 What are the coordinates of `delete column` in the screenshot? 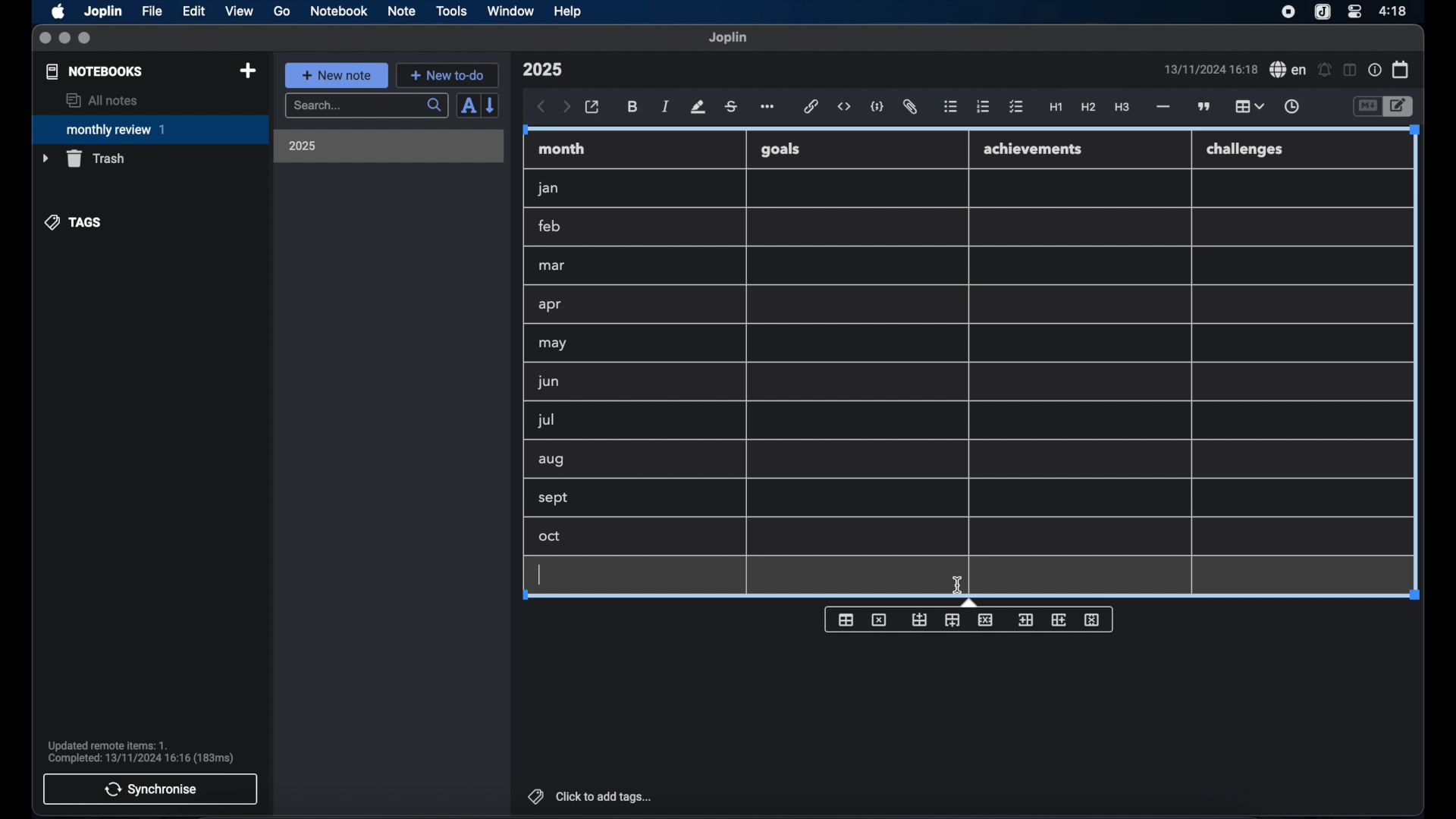 It's located at (1094, 620).